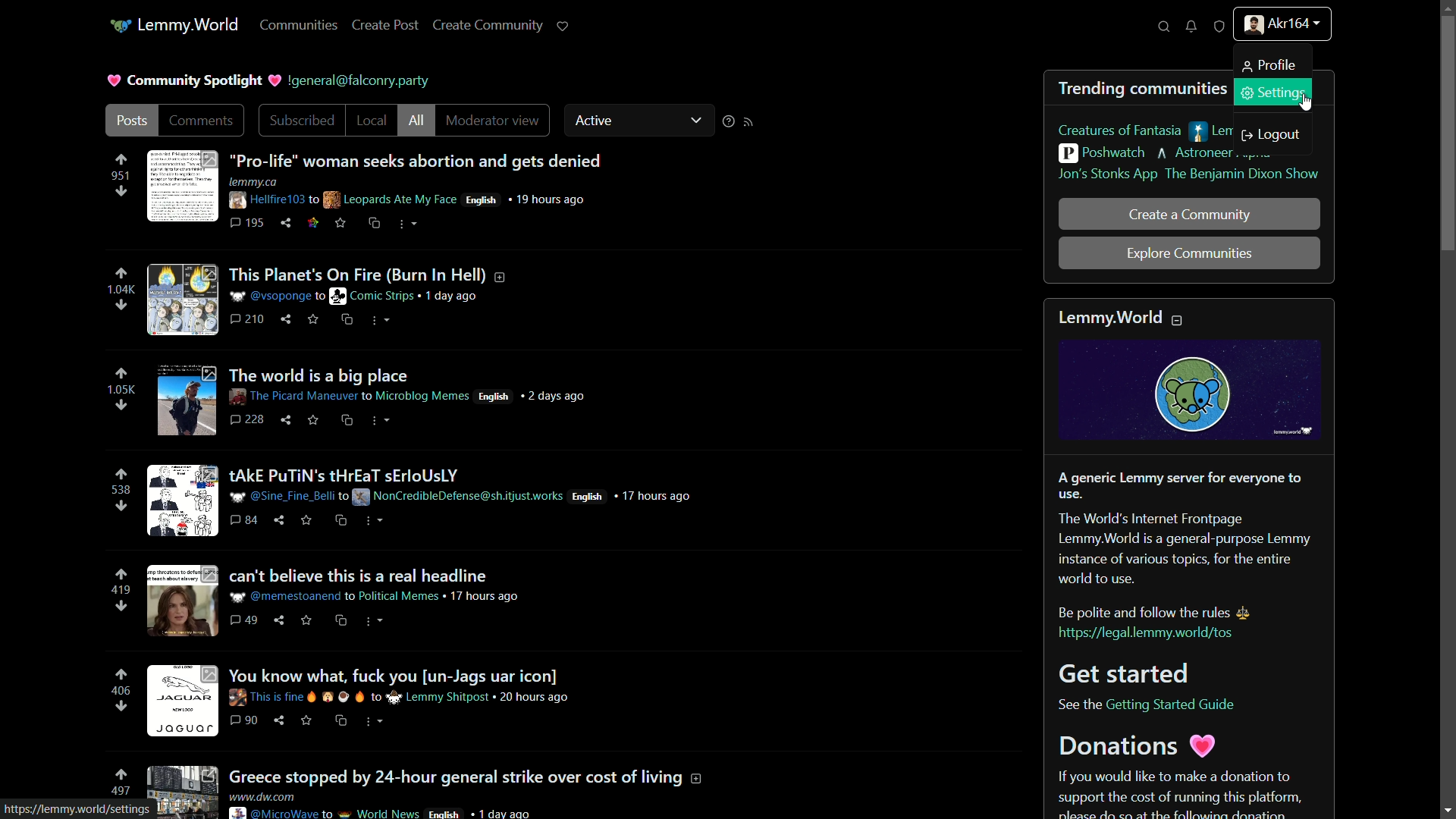 This screenshot has height=819, width=1456. Describe the element at coordinates (489, 25) in the screenshot. I see `create community` at that location.